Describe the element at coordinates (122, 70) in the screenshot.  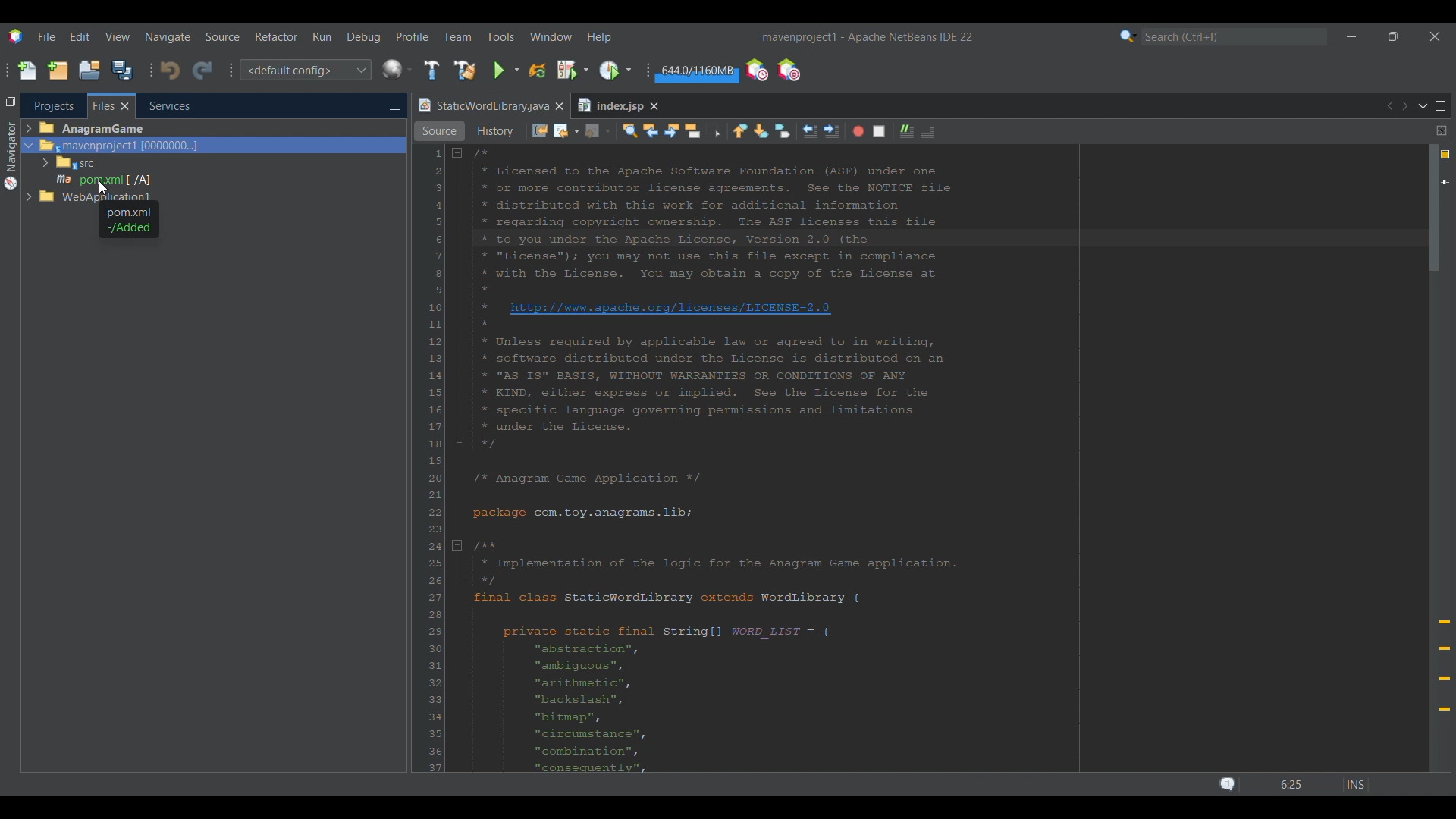
I see `Save all` at that location.